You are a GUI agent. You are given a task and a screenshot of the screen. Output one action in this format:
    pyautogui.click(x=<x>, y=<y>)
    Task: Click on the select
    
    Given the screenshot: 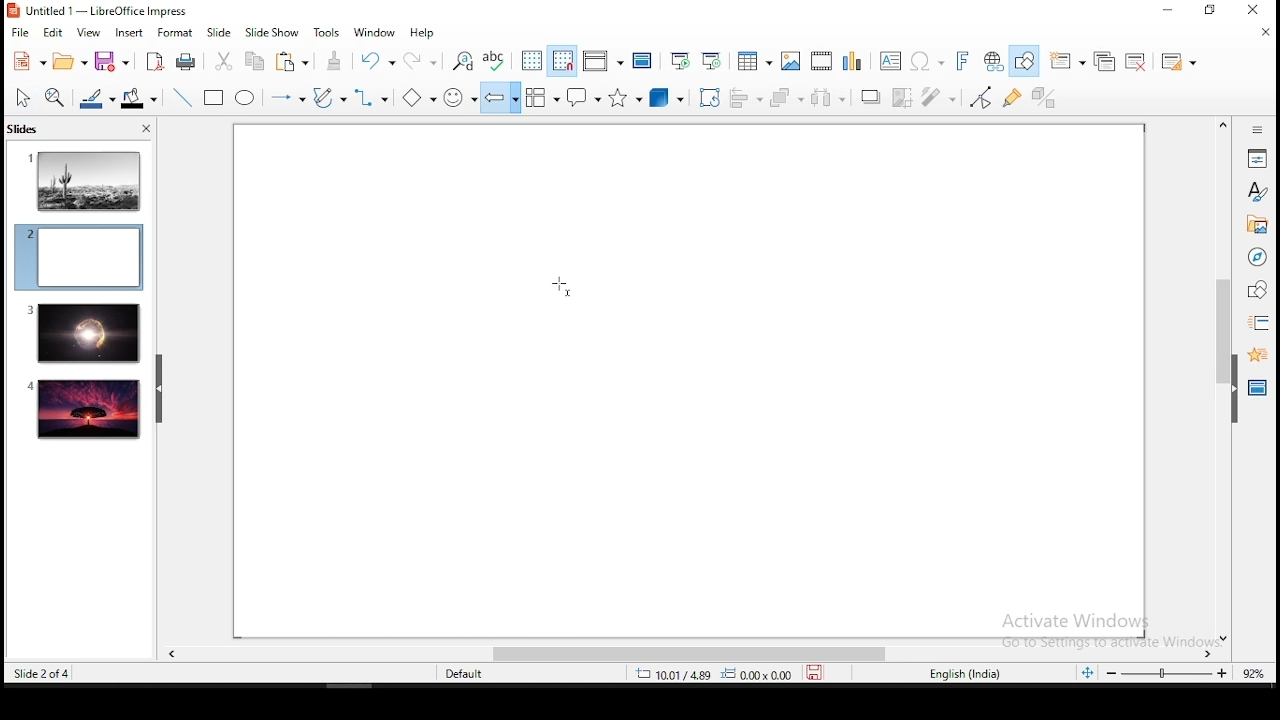 What is the action you would take?
    pyautogui.click(x=23, y=97)
    